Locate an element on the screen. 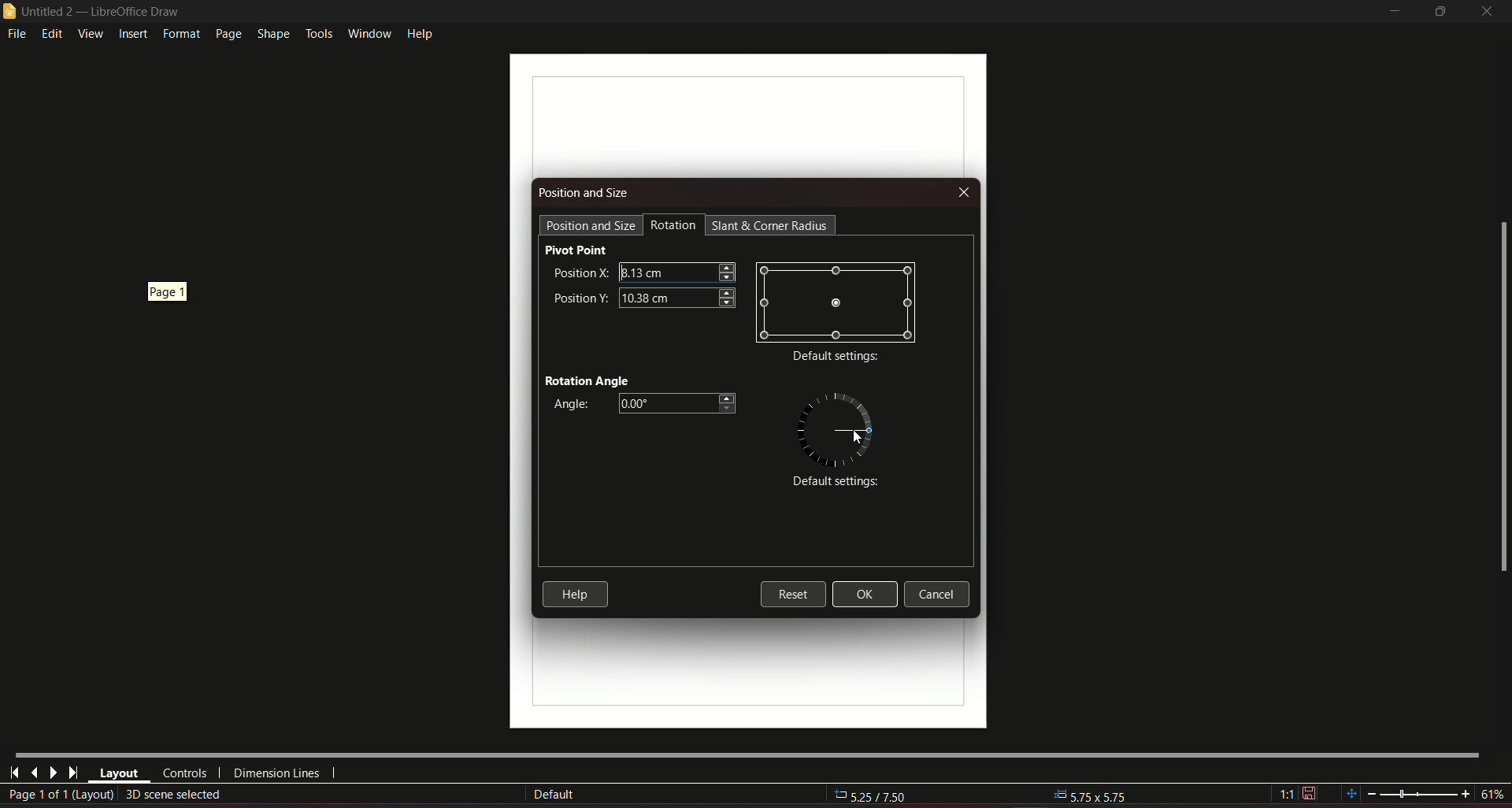  minimize/maximize is located at coordinates (1440, 12).